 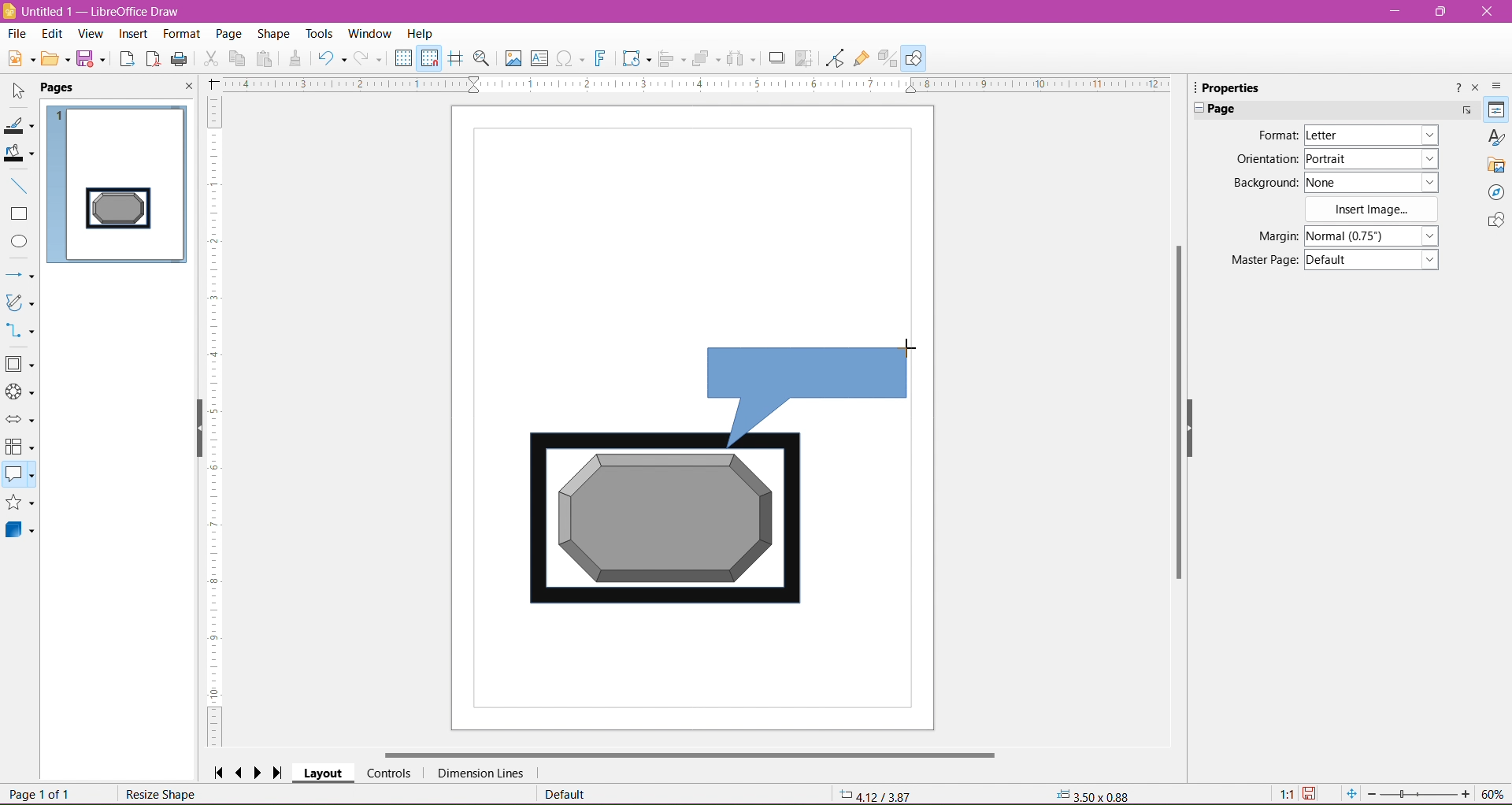 What do you see at coordinates (1466, 110) in the screenshot?
I see `More Options` at bounding box center [1466, 110].